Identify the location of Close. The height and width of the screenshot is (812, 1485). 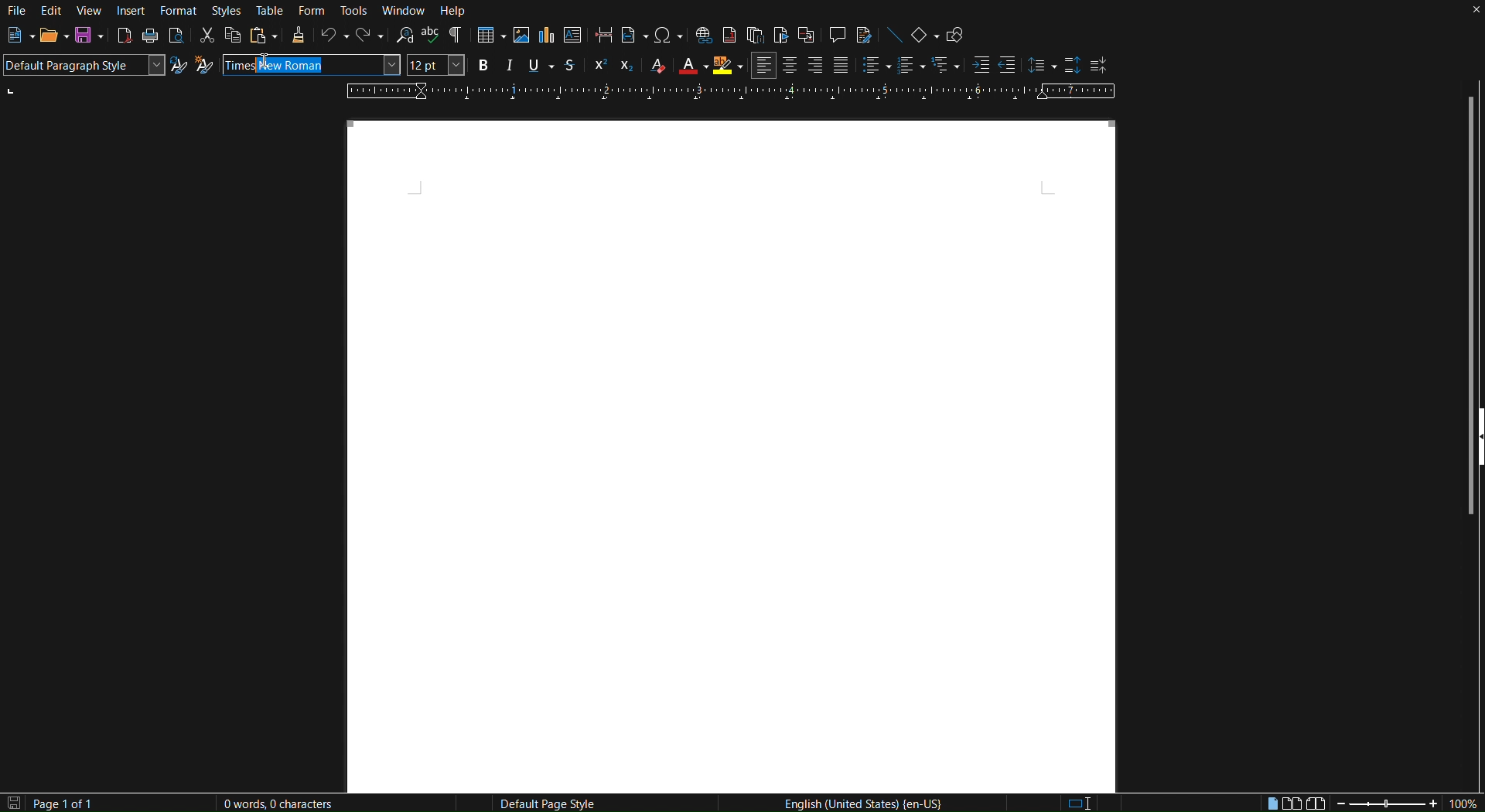
(1467, 12).